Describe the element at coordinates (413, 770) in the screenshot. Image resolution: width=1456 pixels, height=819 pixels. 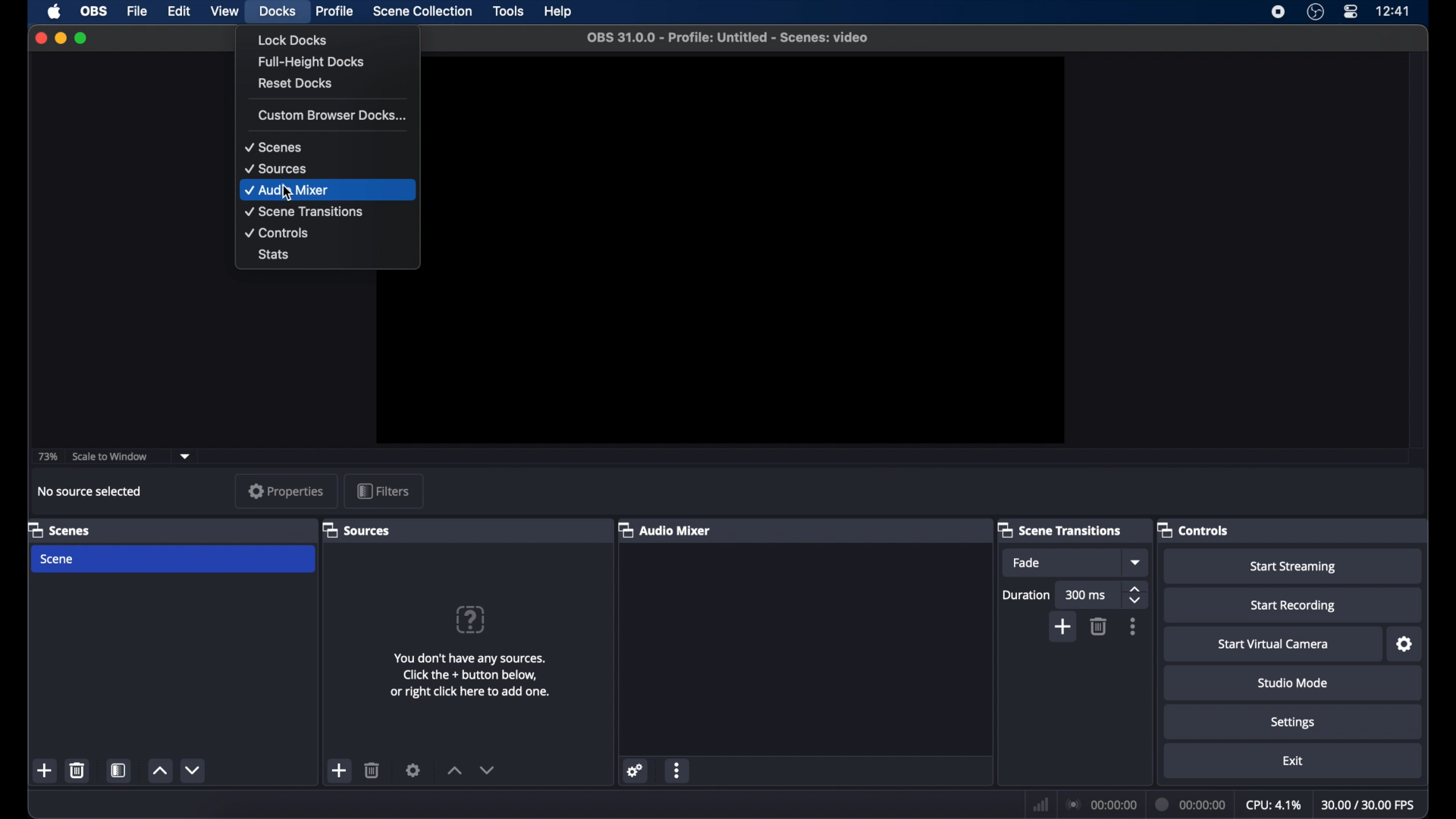
I see `settings` at that location.